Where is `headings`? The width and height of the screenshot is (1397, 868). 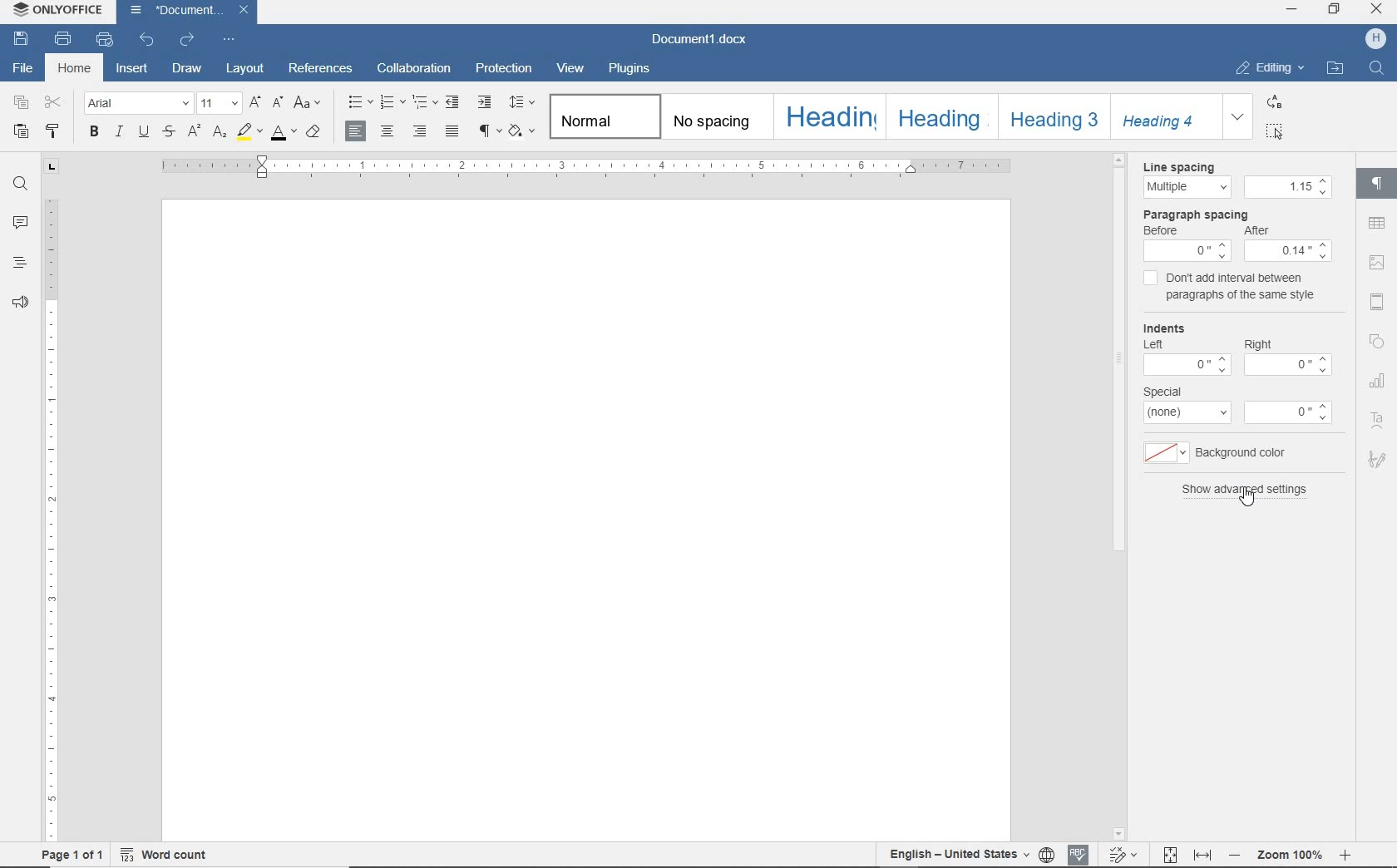 headings is located at coordinates (19, 262).